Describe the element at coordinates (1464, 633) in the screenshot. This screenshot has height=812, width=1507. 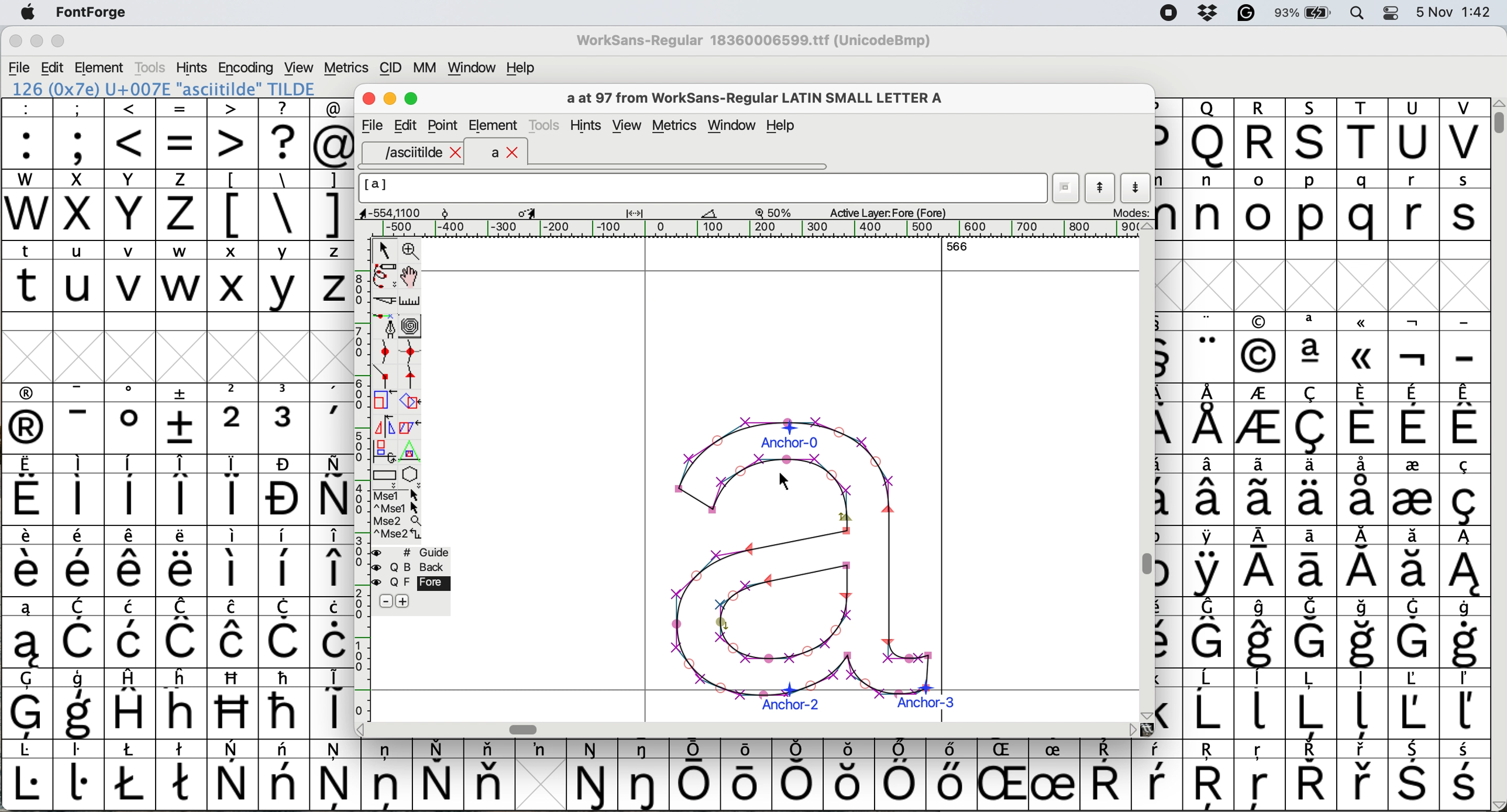
I see `symbol` at that location.